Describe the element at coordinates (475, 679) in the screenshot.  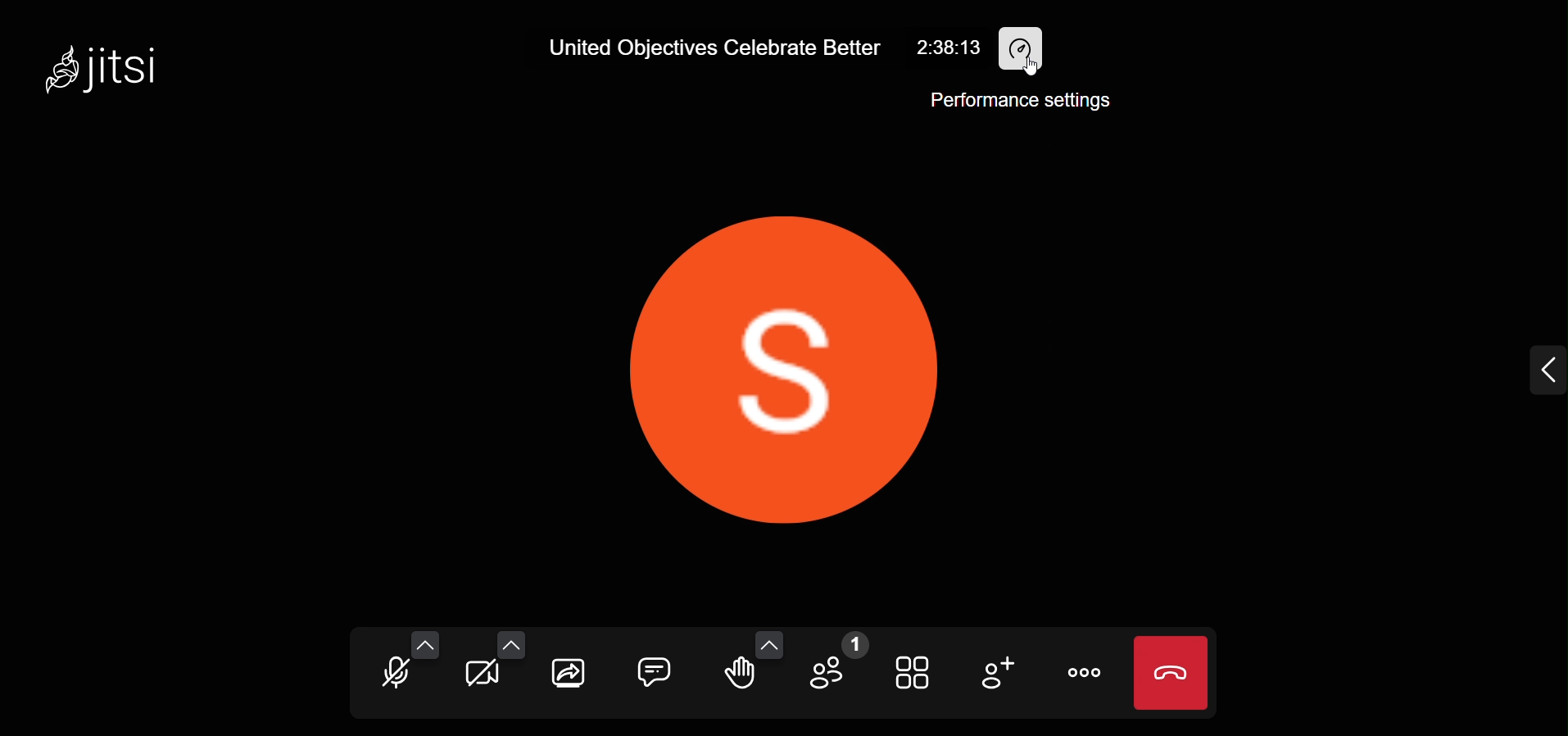
I see `camera` at that location.